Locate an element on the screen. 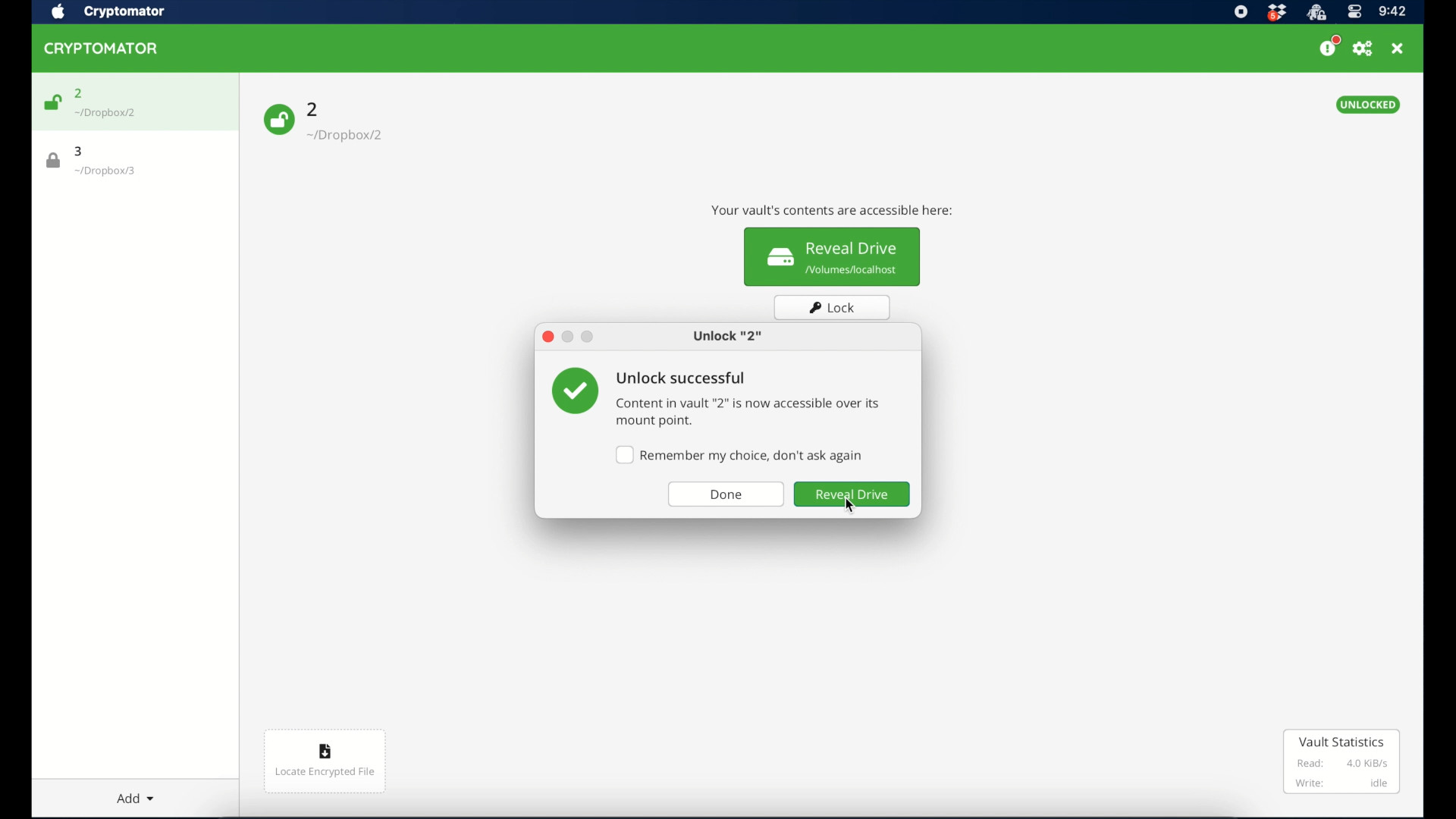 This screenshot has width=1456, height=819. cryptomator is located at coordinates (127, 11).